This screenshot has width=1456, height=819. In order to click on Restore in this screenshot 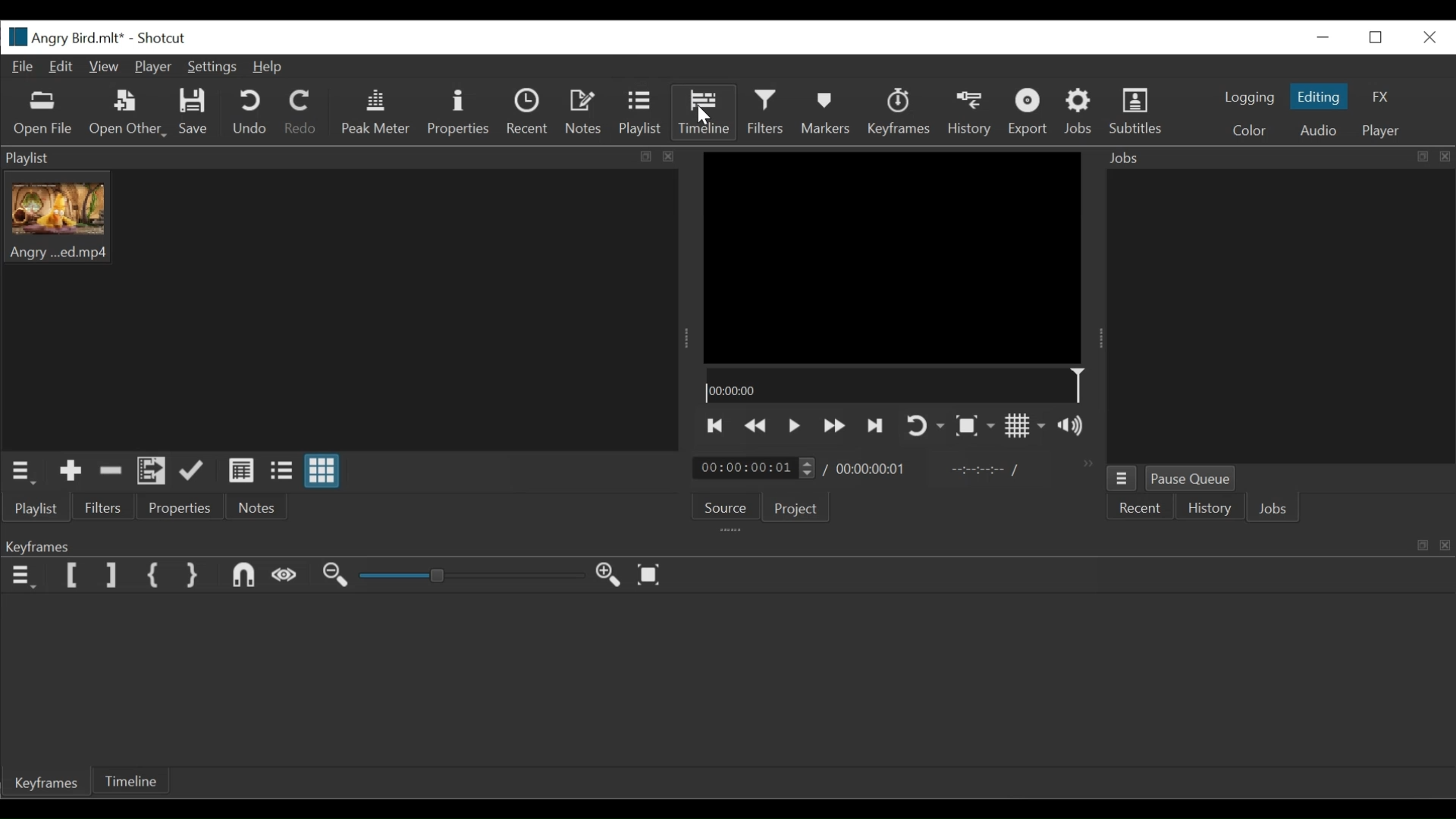, I will do `click(1378, 36)`.